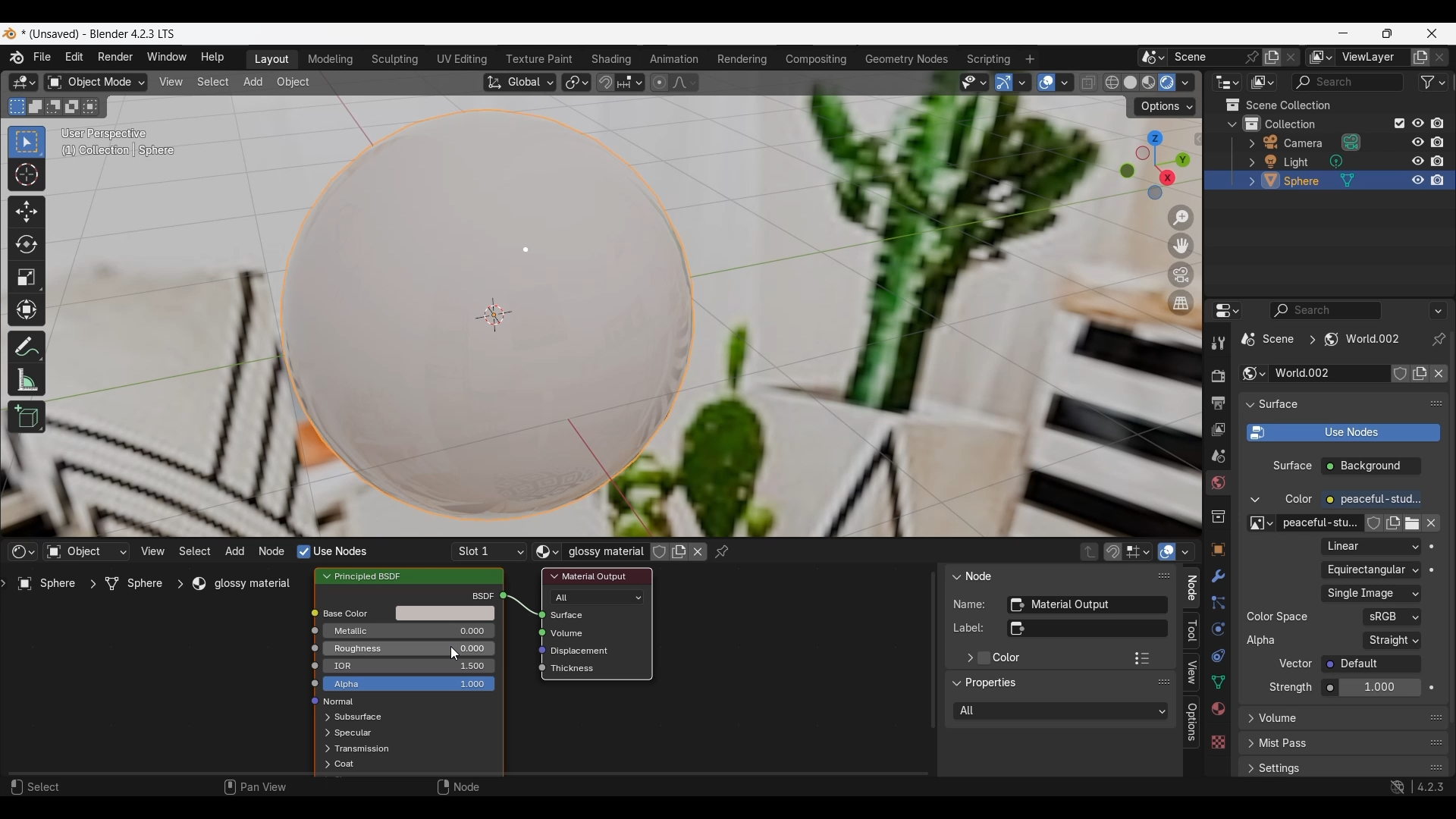  Describe the element at coordinates (1203, 57) in the screenshot. I see `Type scene name` at that location.